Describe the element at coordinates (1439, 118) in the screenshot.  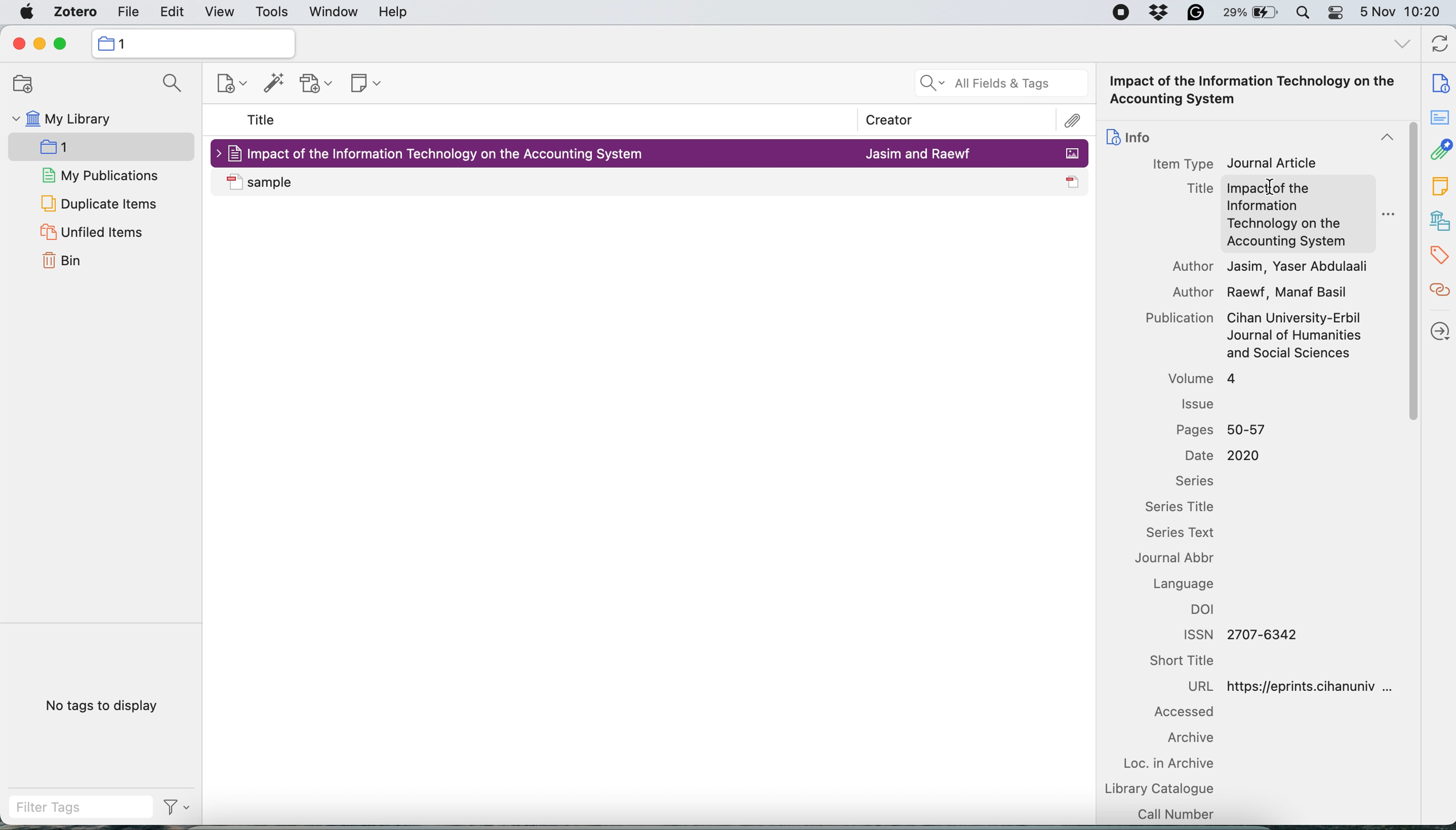
I see `abstract` at that location.